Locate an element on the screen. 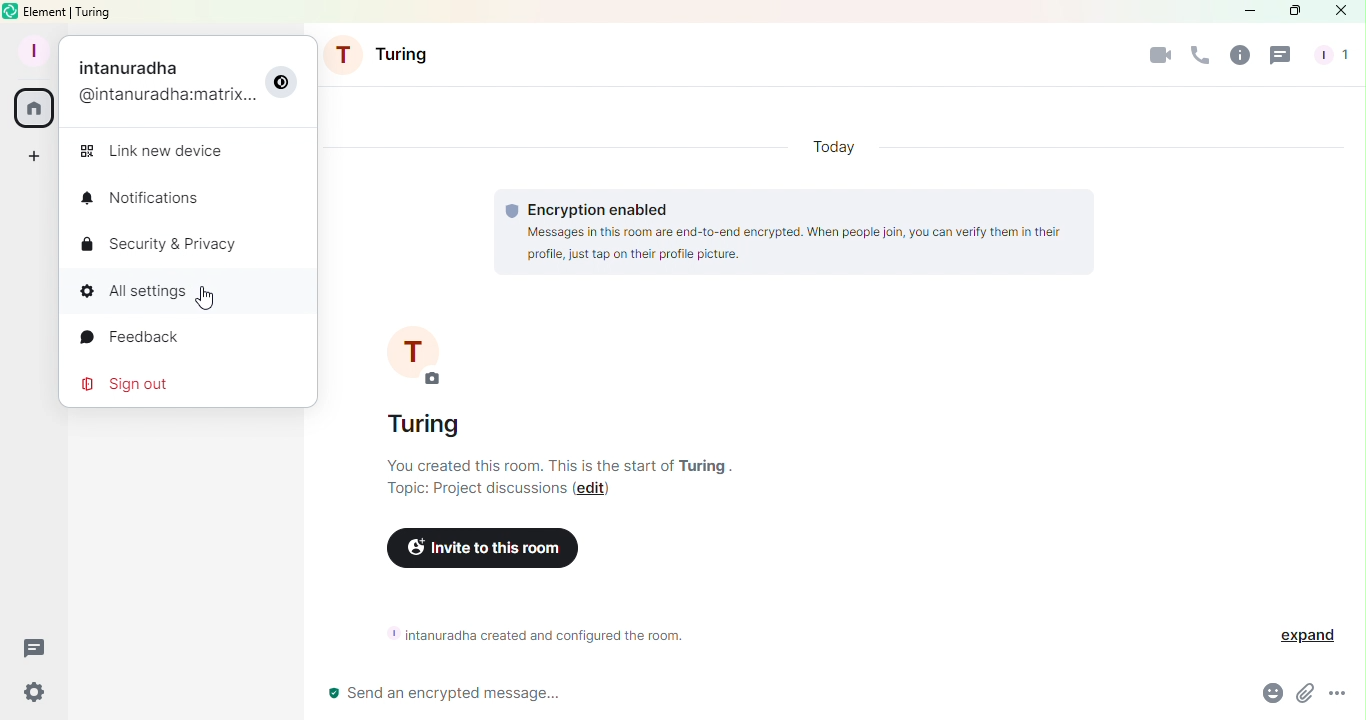  Minimize is located at coordinates (1247, 11).